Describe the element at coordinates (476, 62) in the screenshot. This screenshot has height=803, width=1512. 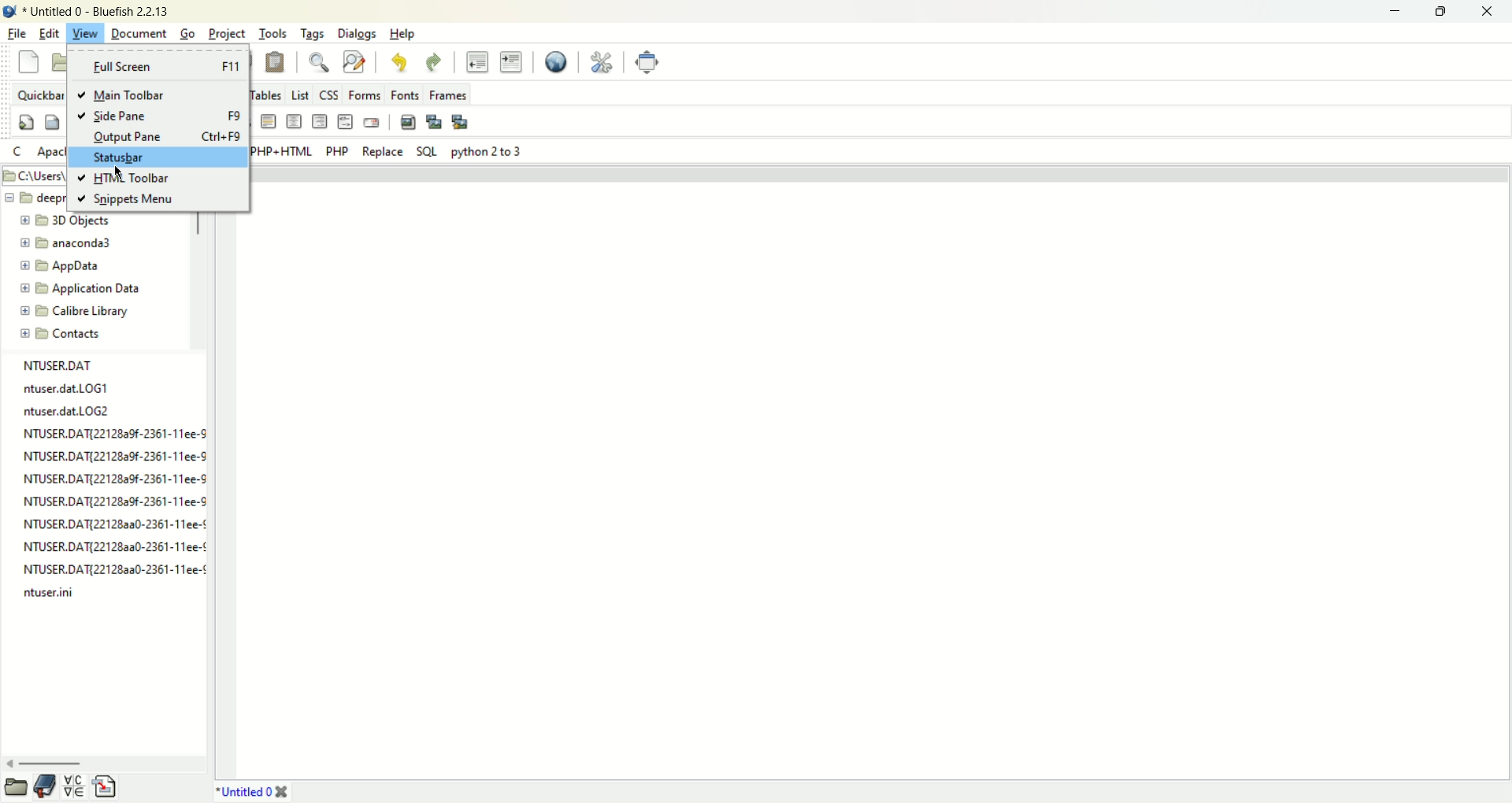
I see `unindent` at that location.